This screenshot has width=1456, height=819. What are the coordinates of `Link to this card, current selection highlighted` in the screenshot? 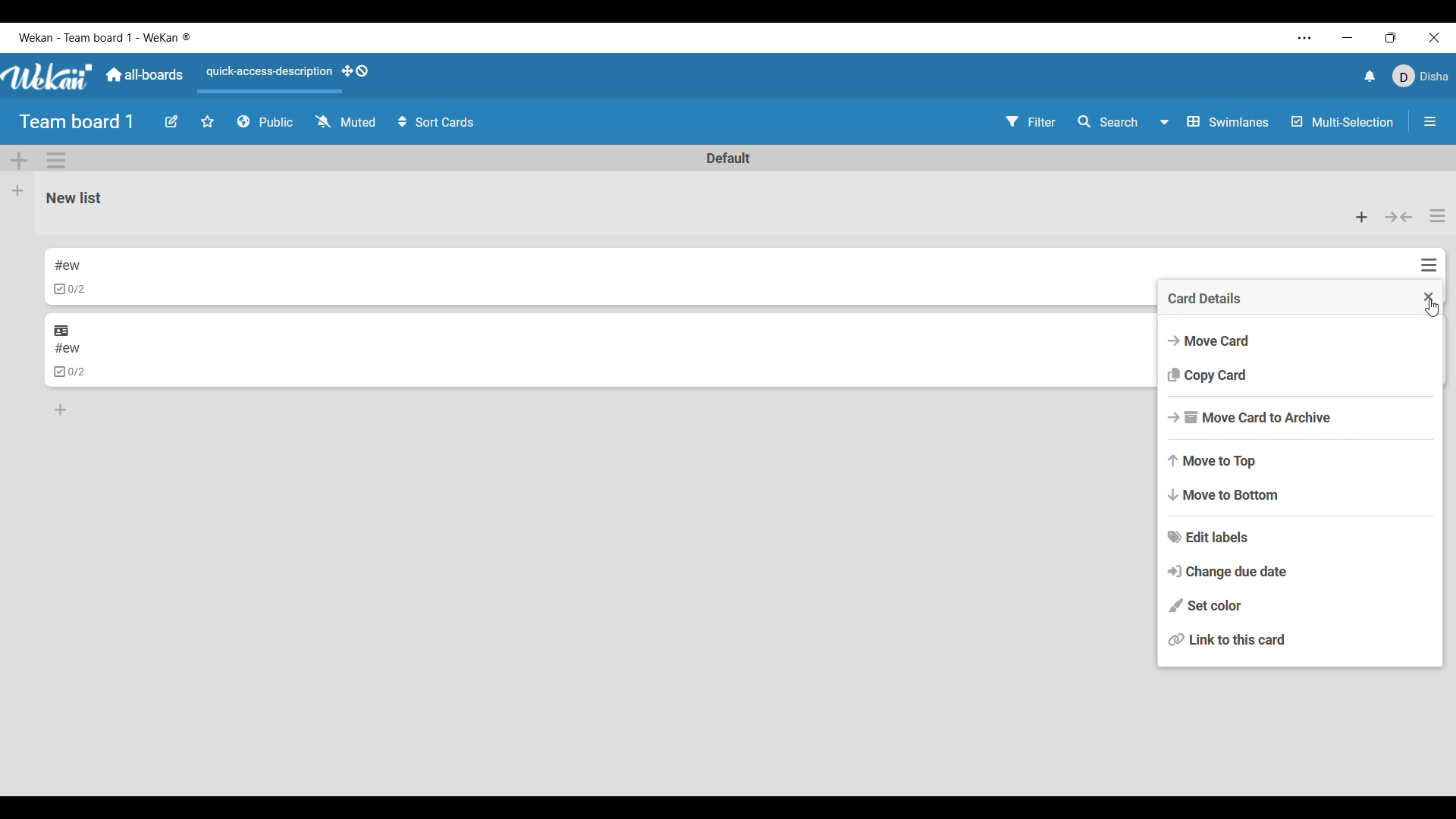 It's located at (1300, 639).